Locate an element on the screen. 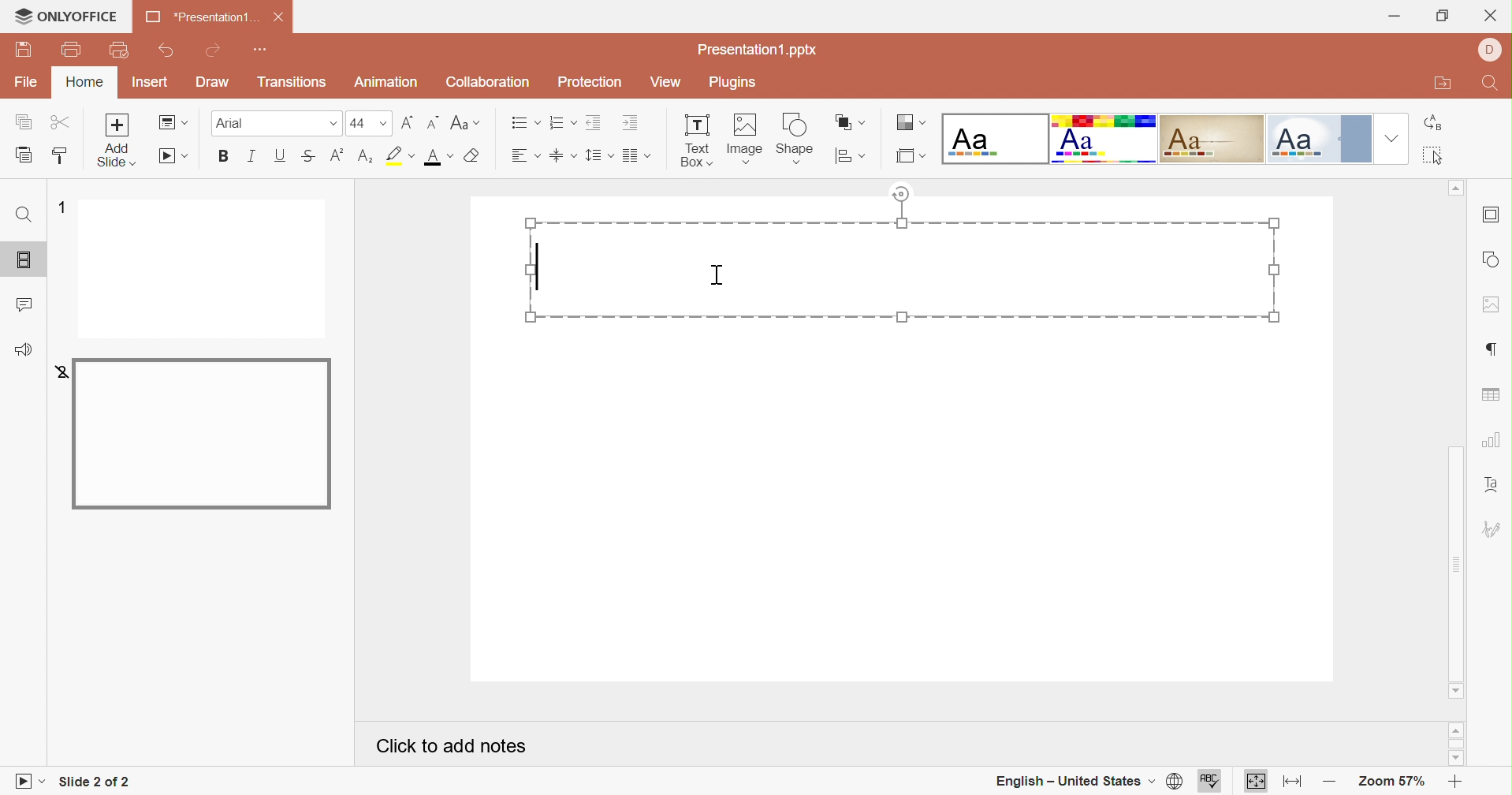  Signature settings is located at coordinates (1493, 528).